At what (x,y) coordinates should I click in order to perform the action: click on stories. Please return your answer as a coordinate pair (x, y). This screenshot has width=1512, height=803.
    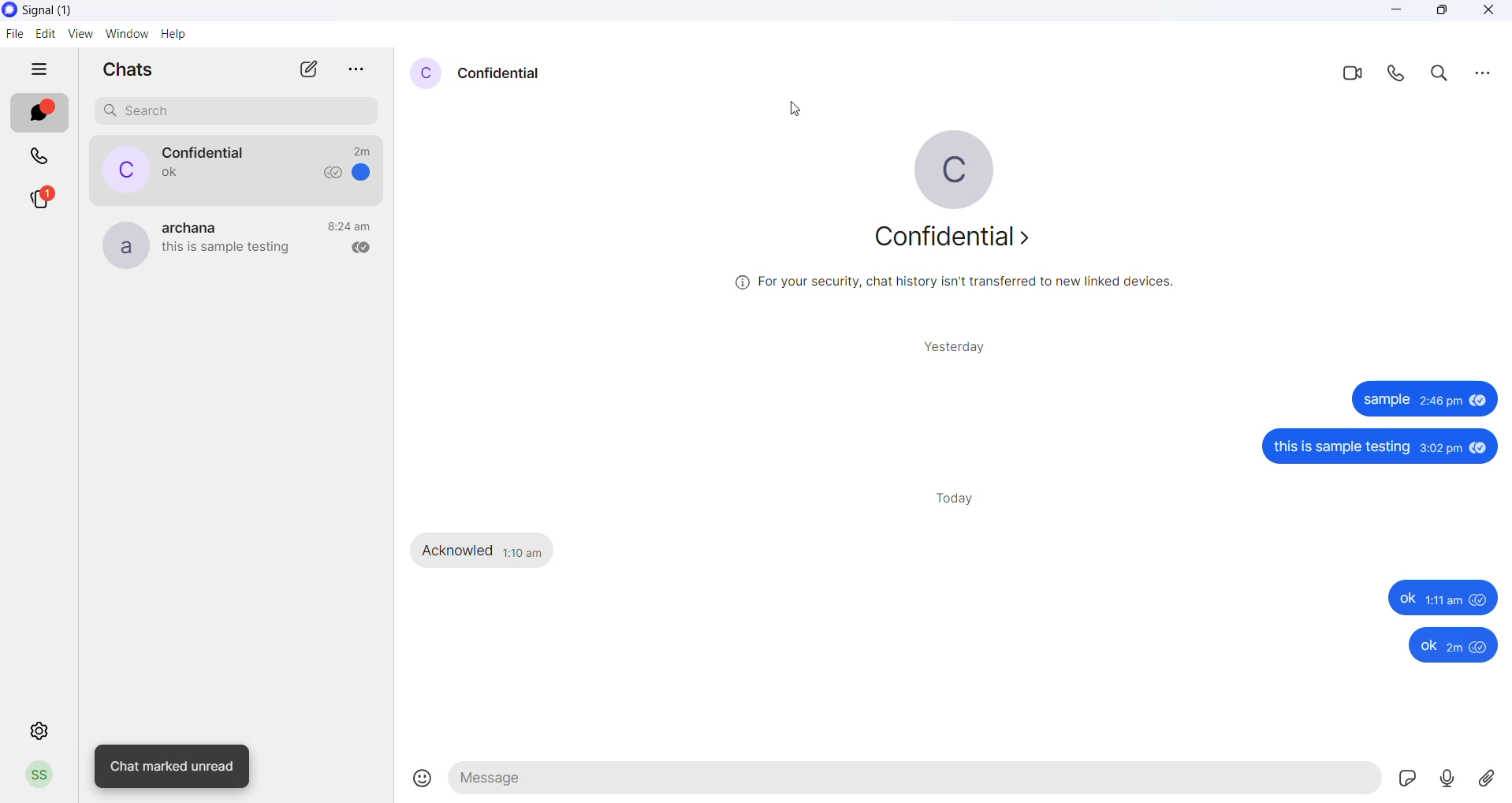
    Looking at the image, I should click on (39, 199).